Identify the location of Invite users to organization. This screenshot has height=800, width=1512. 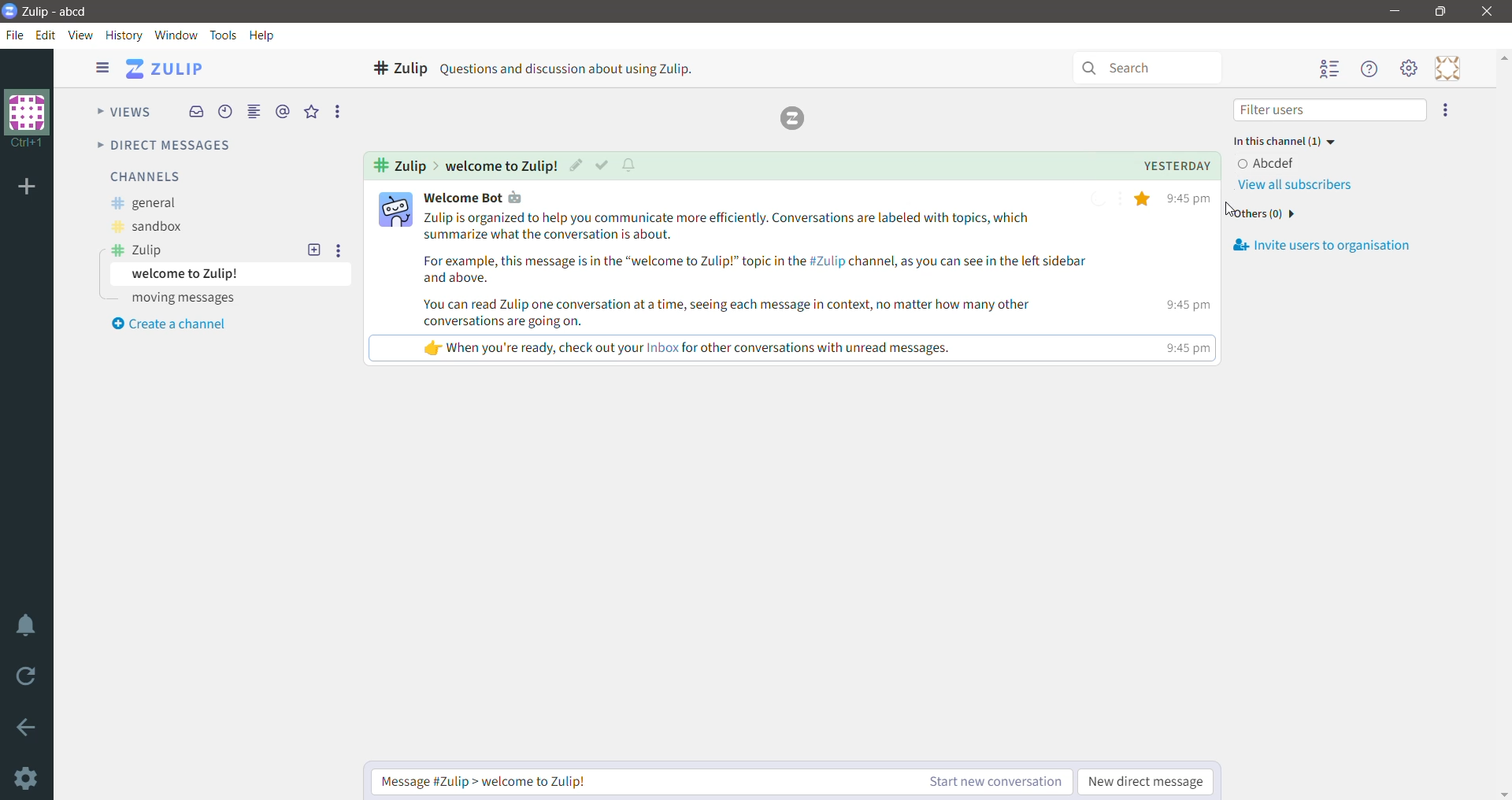
(1447, 112).